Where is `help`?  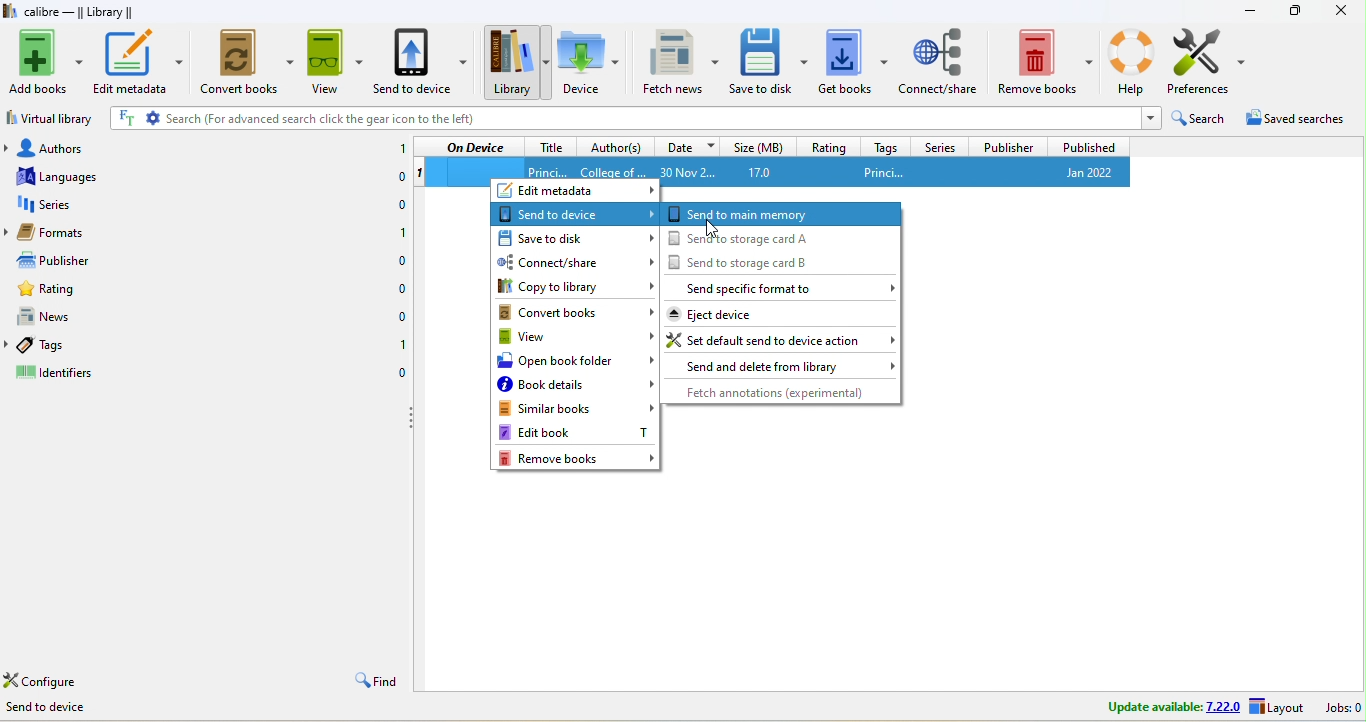
help is located at coordinates (1131, 59).